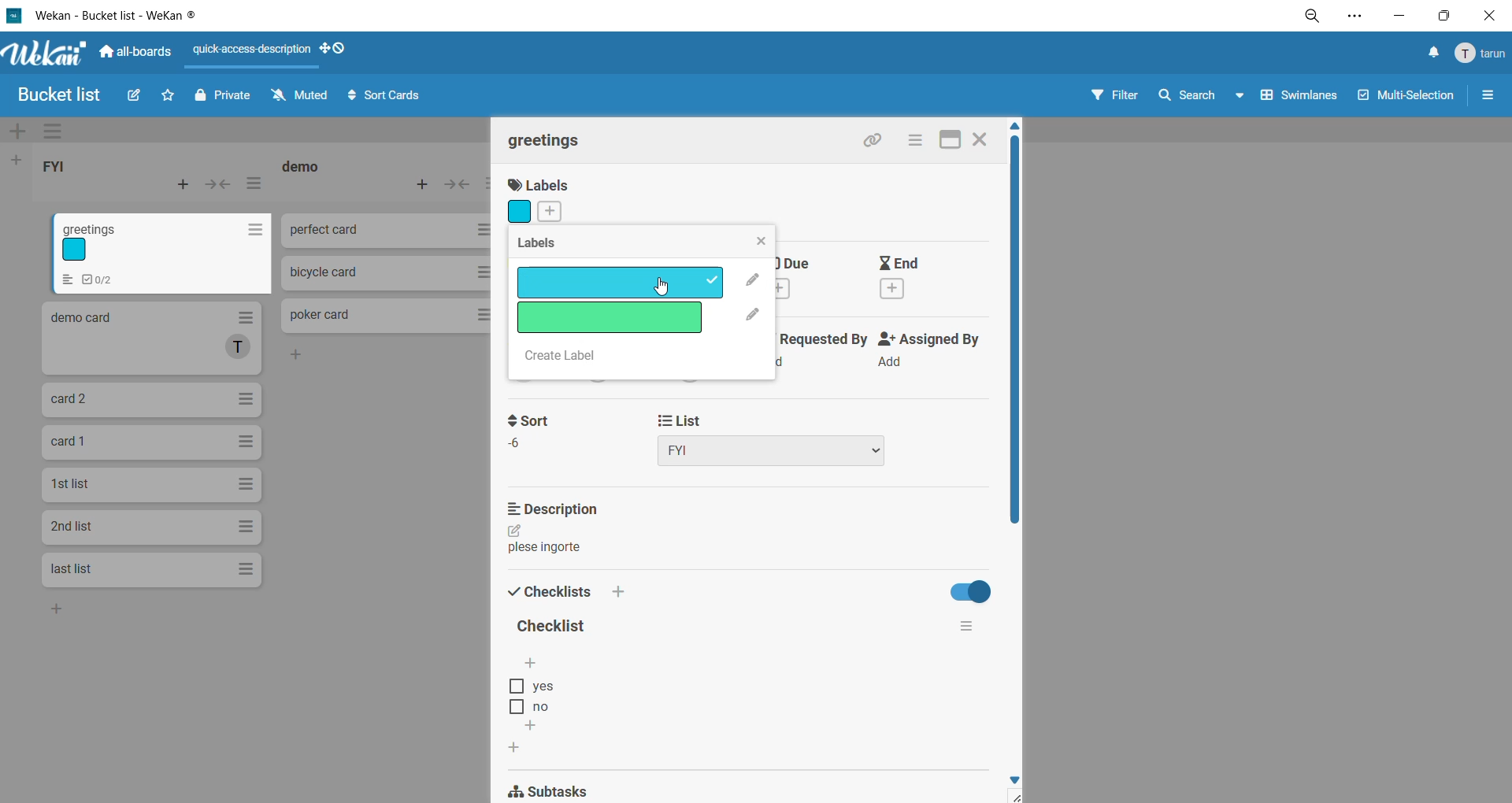 This screenshot has height=803, width=1512. Describe the element at coordinates (620, 283) in the screenshot. I see `label` at that location.